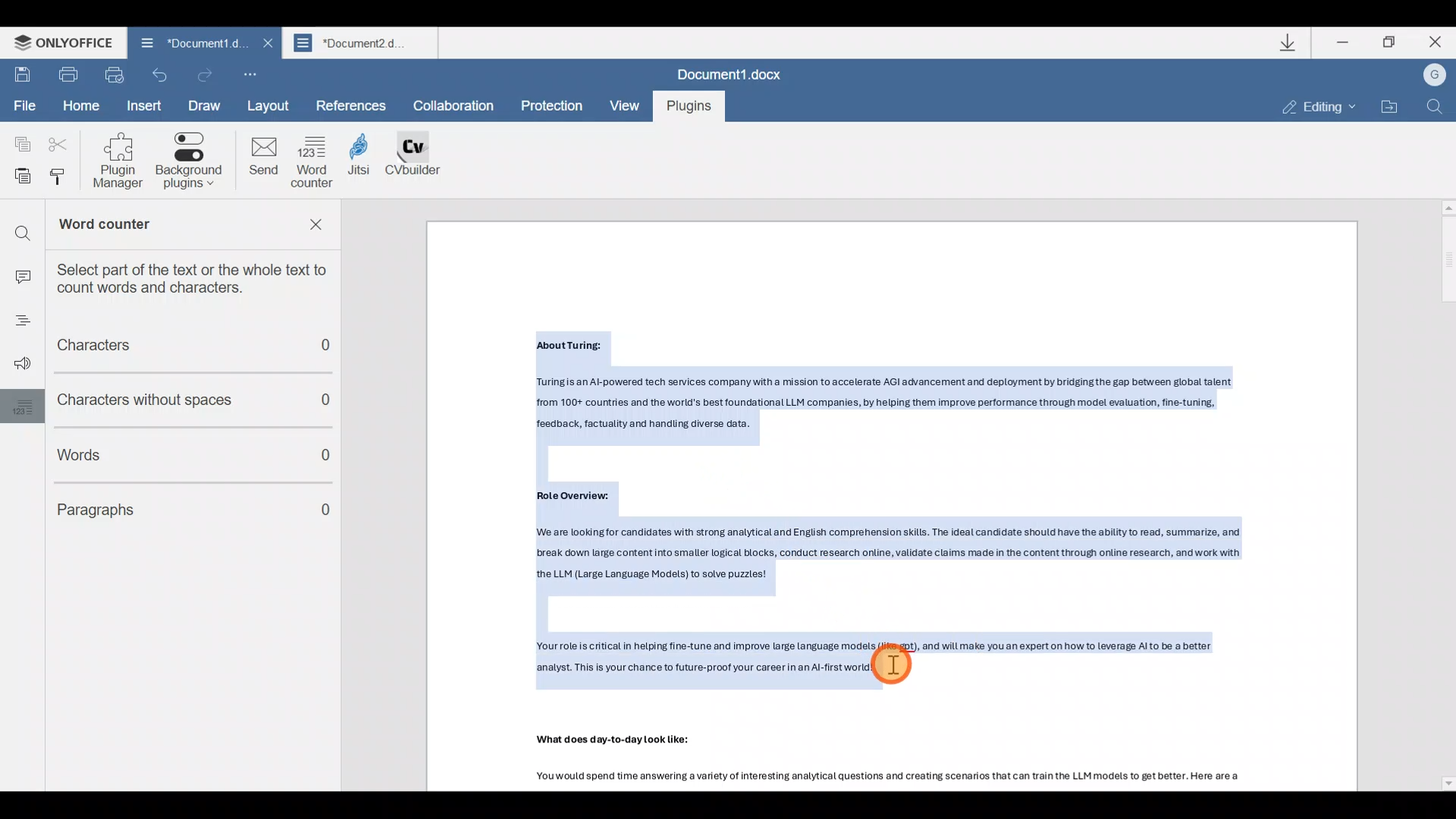 This screenshot has width=1456, height=819. Describe the element at coordinates (335, 350) in the screenshot. I see `0` at that location.